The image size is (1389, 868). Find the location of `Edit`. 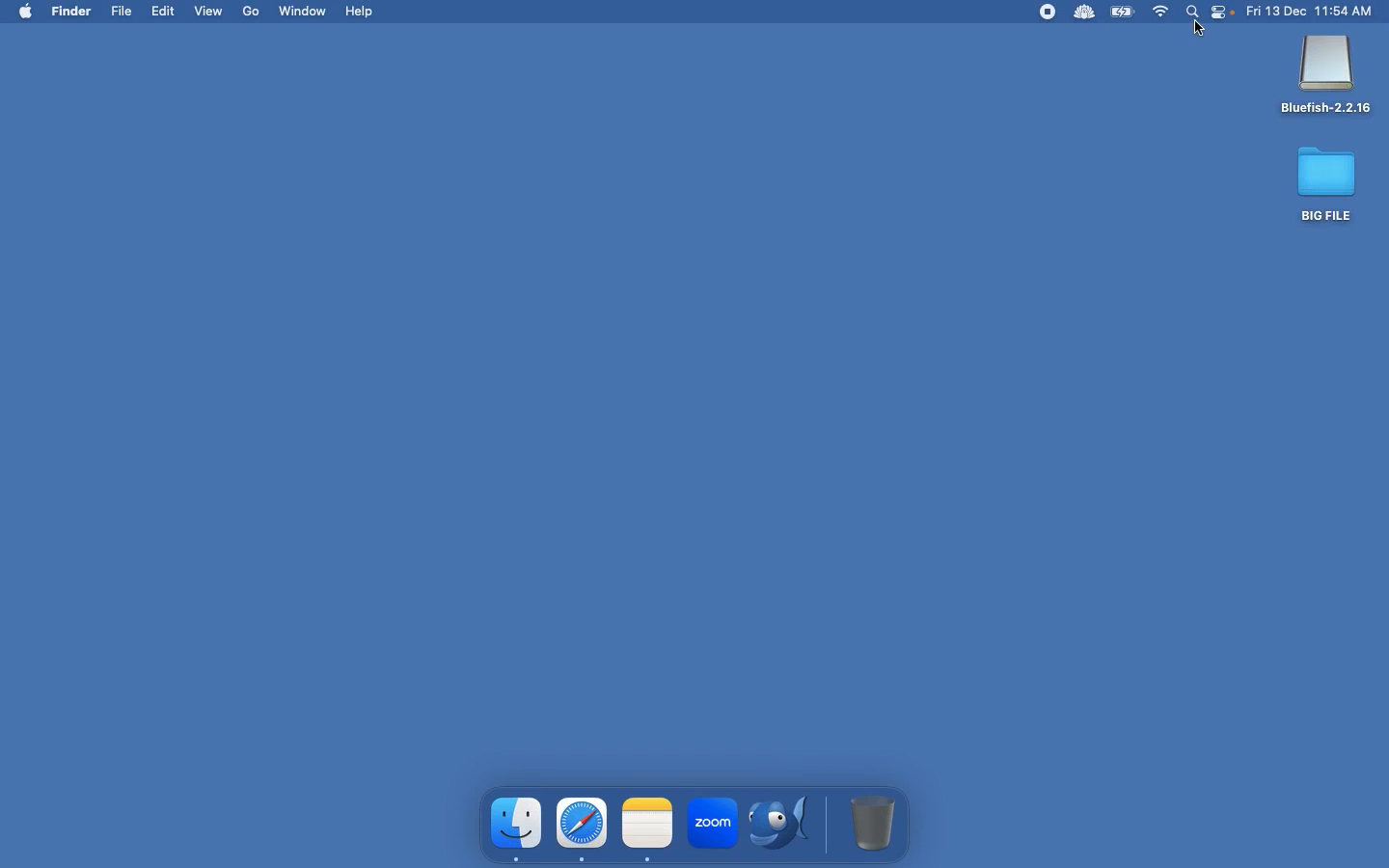

Edit is located at coordinates (165, 11).